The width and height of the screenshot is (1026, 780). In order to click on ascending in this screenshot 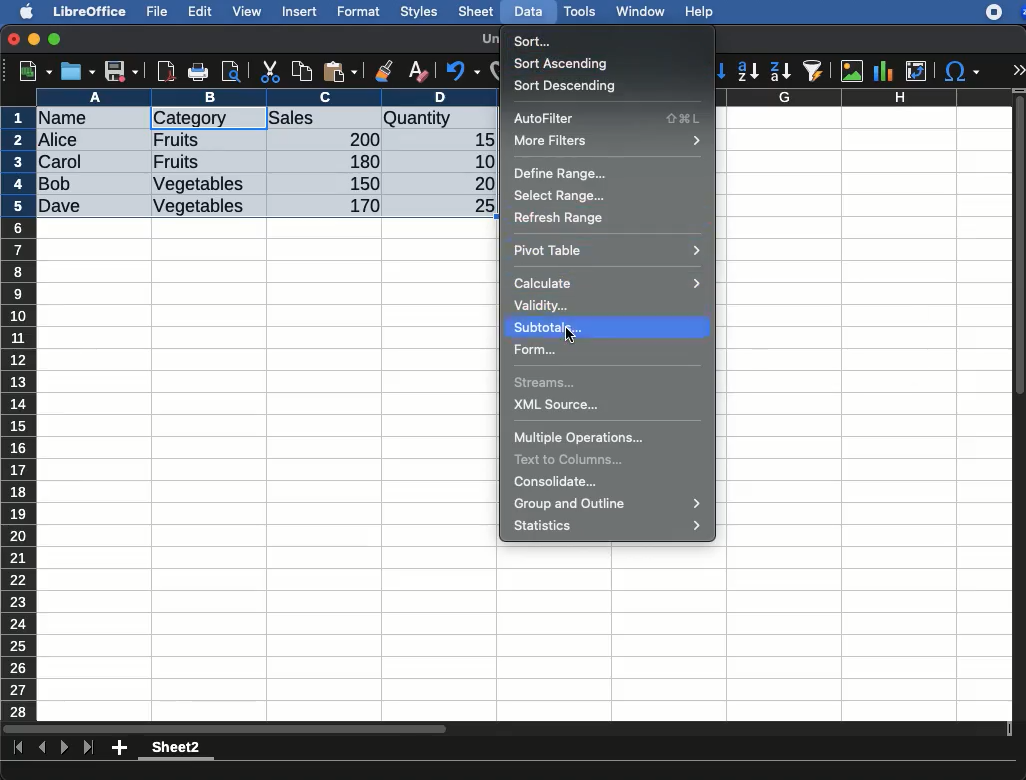, I will do `click(748, 70)`.